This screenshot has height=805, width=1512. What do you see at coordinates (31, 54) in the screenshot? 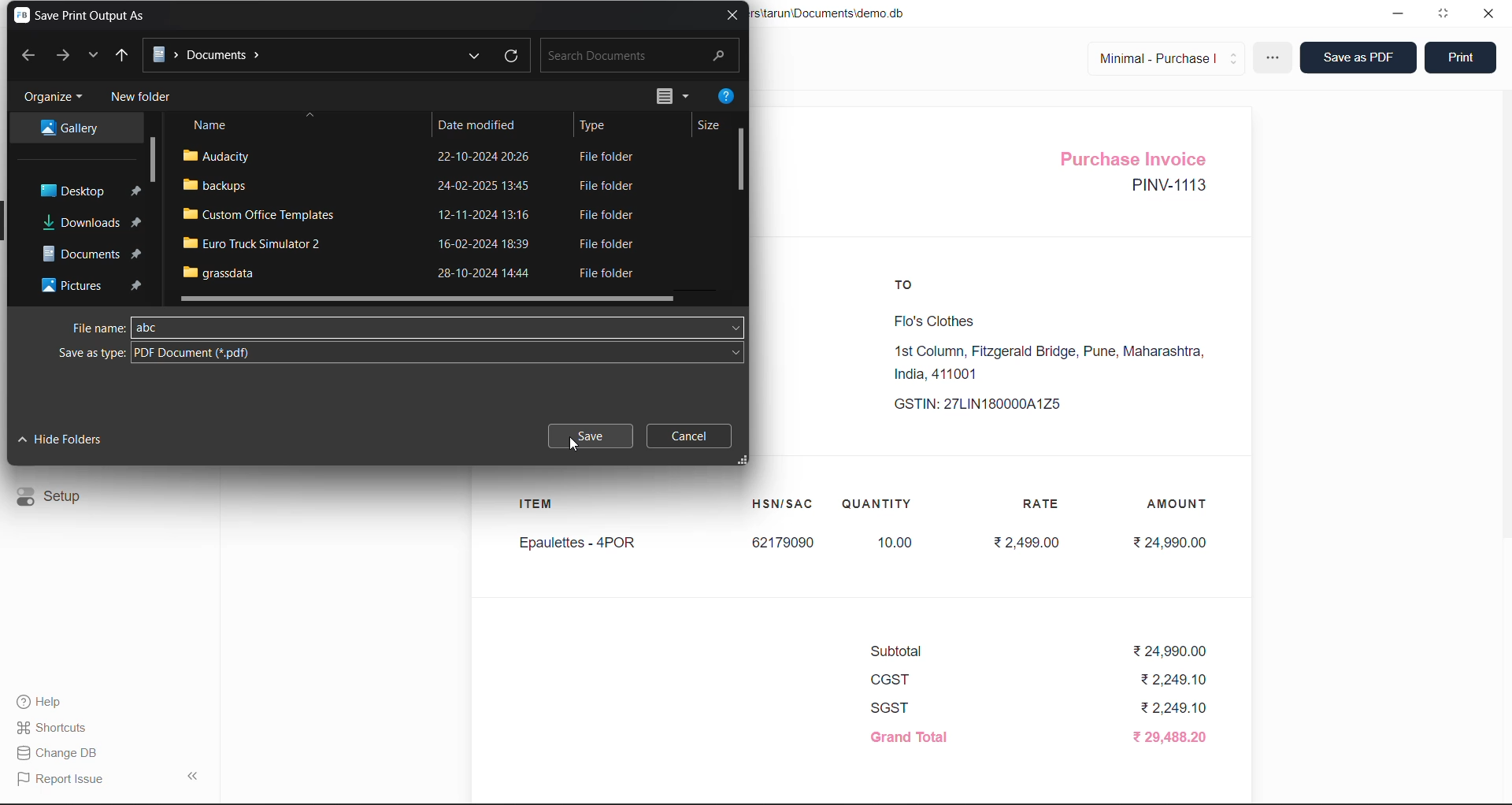
I see `backward` at bounding box center [31, 54].